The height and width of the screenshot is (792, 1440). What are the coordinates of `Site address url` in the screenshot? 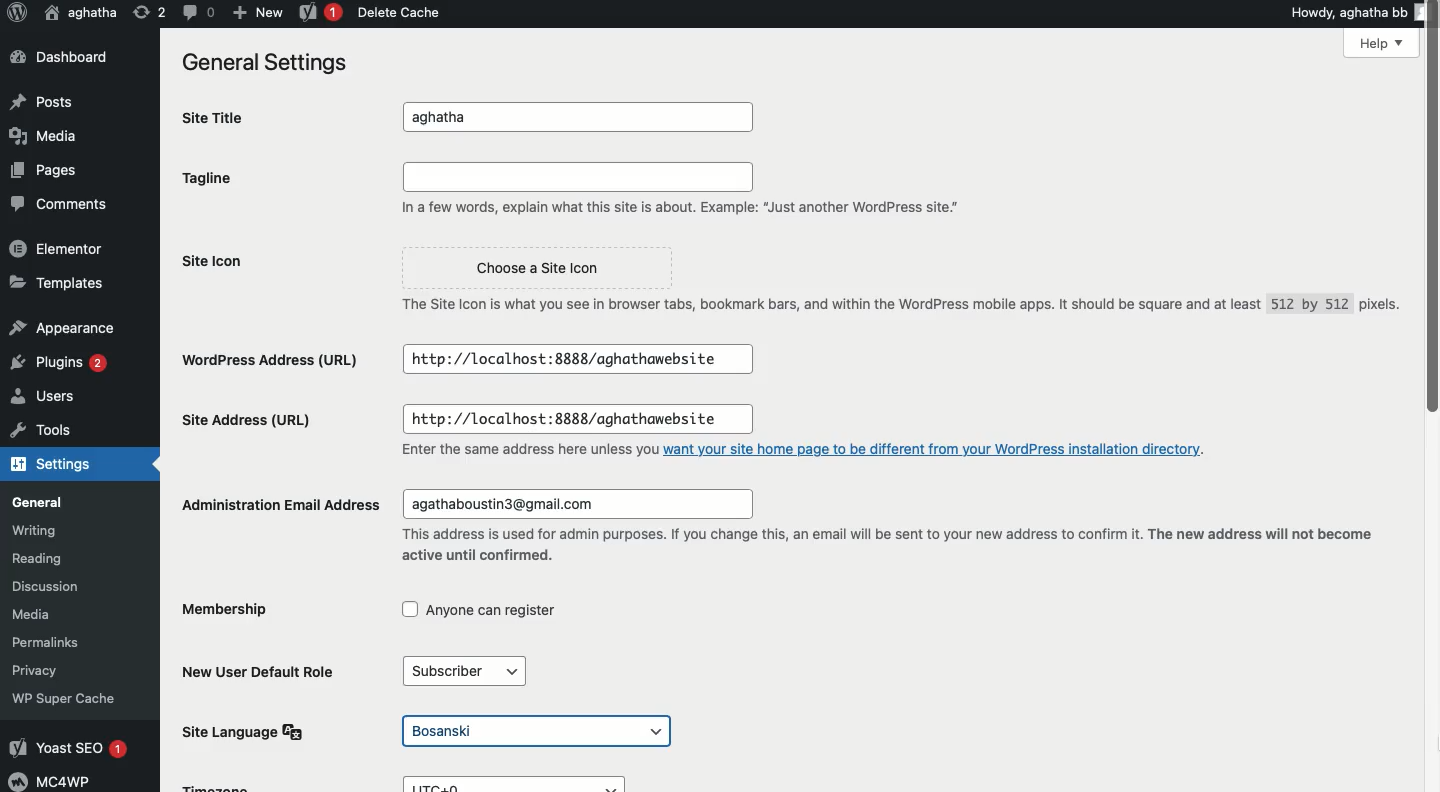 It's located at (251, 423).